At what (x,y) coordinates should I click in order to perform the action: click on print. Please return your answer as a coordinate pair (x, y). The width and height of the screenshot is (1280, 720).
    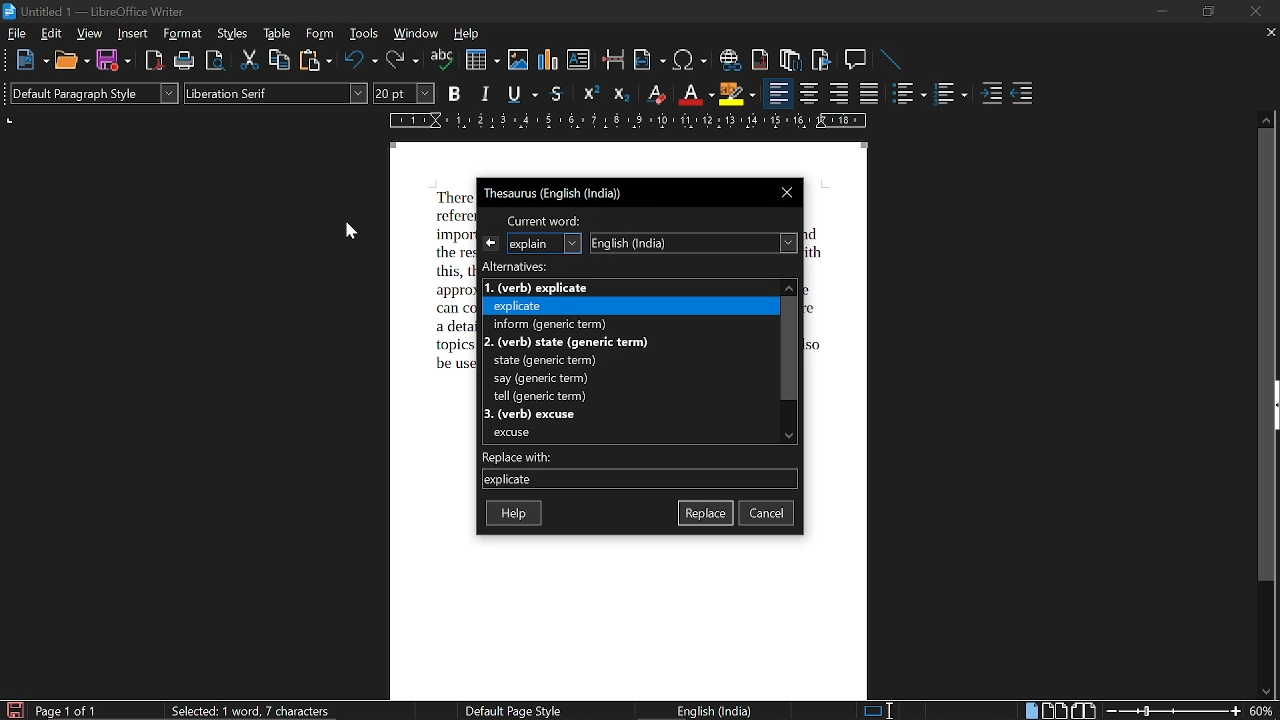
    Looking at the image, I should click on (185, 61).